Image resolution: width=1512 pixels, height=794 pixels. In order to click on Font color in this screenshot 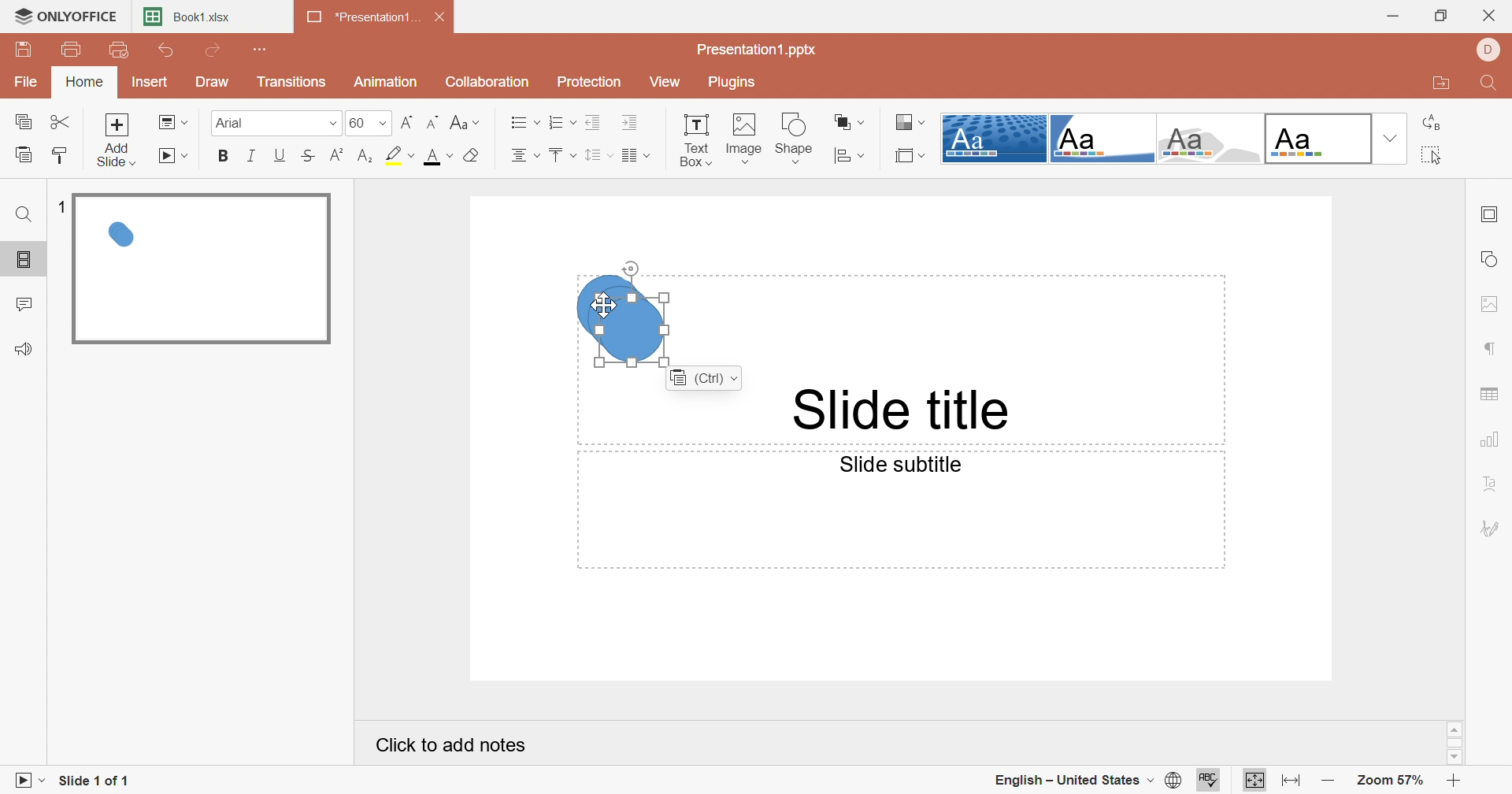, I will do `click(435, 155)`.